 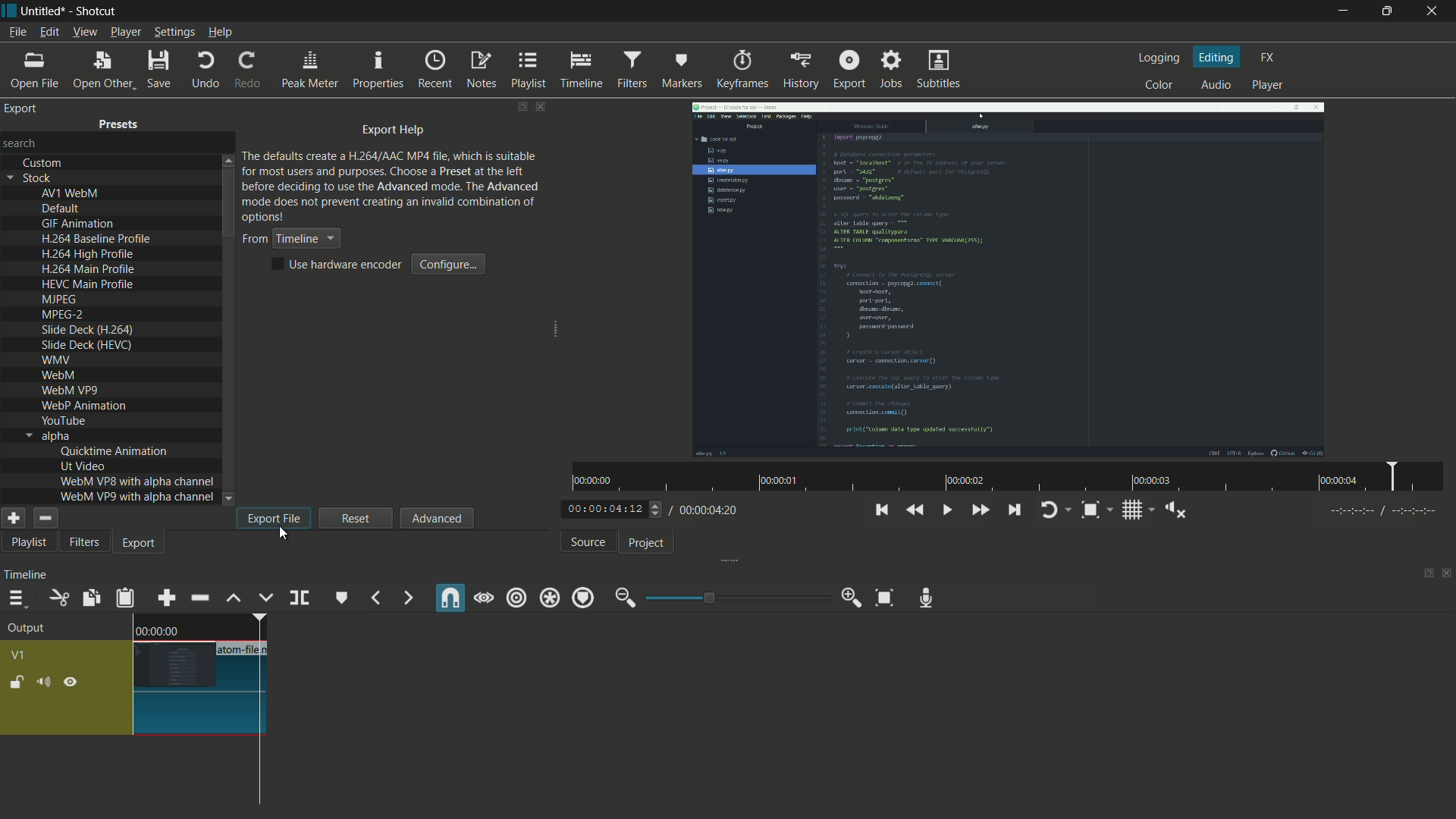 I want to click on scroll bar, so click(x=228, y=205).